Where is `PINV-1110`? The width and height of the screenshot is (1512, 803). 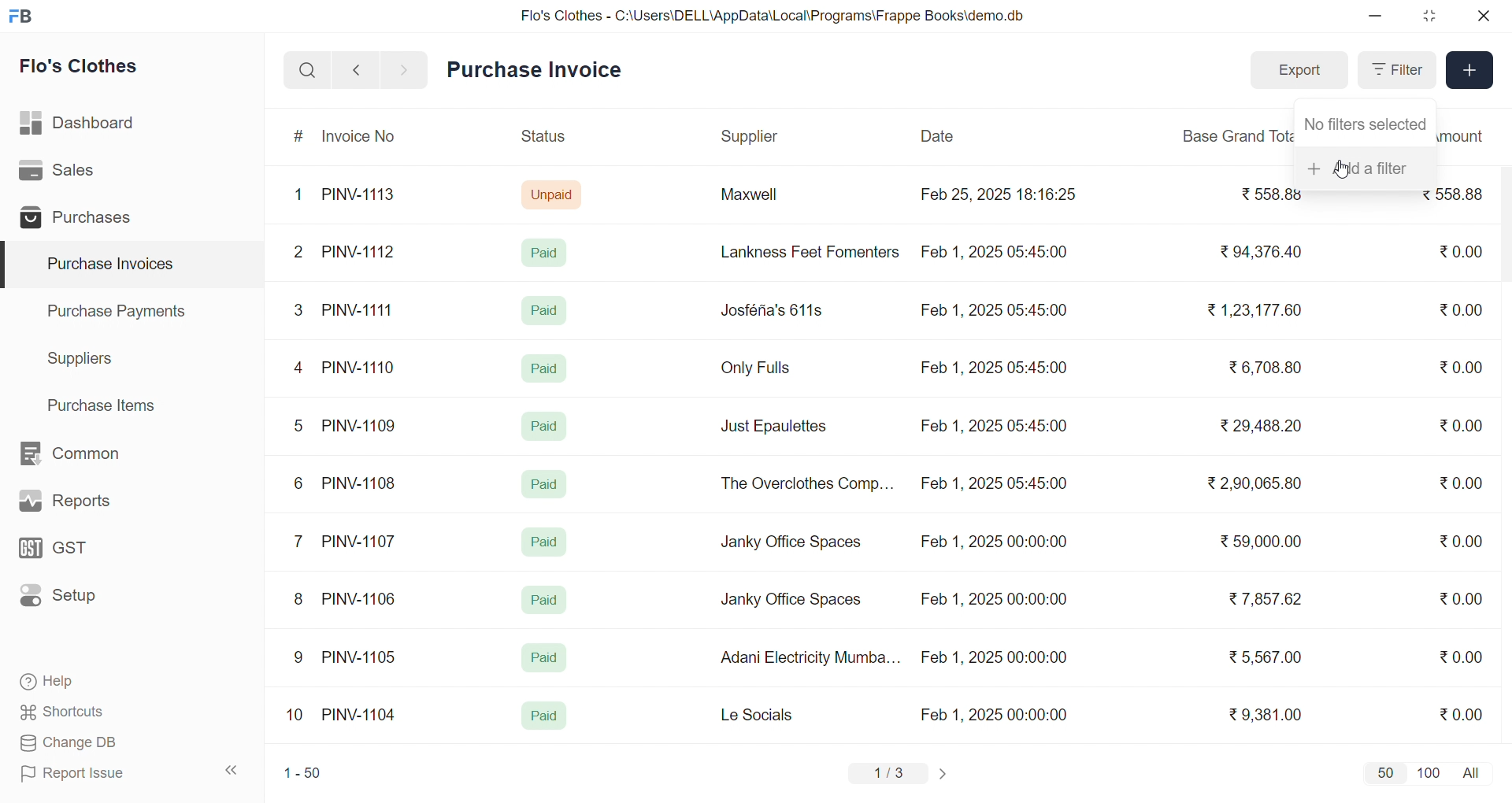 PINV-1110 is located at coordinates (360, 367).